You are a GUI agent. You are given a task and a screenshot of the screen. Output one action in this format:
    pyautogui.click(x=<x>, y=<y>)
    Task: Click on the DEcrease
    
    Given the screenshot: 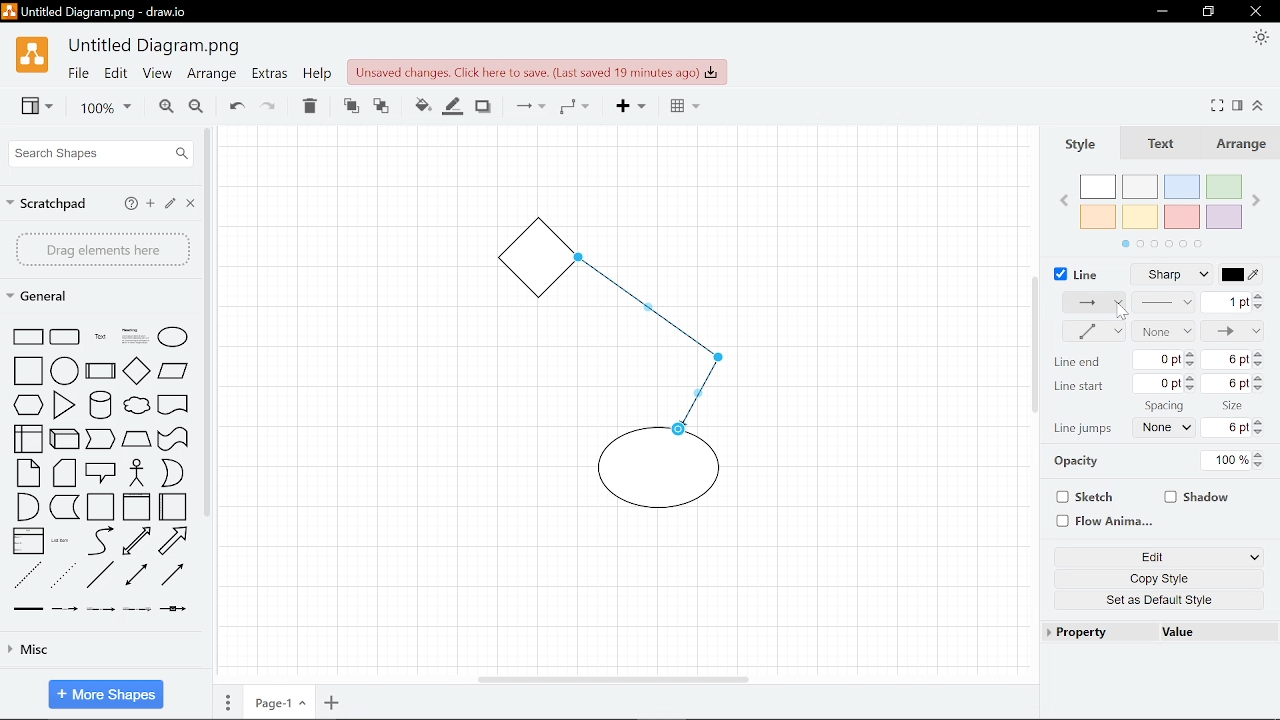 What is the action you would take?
    pyautogui.click(x=1194, y=391)
    